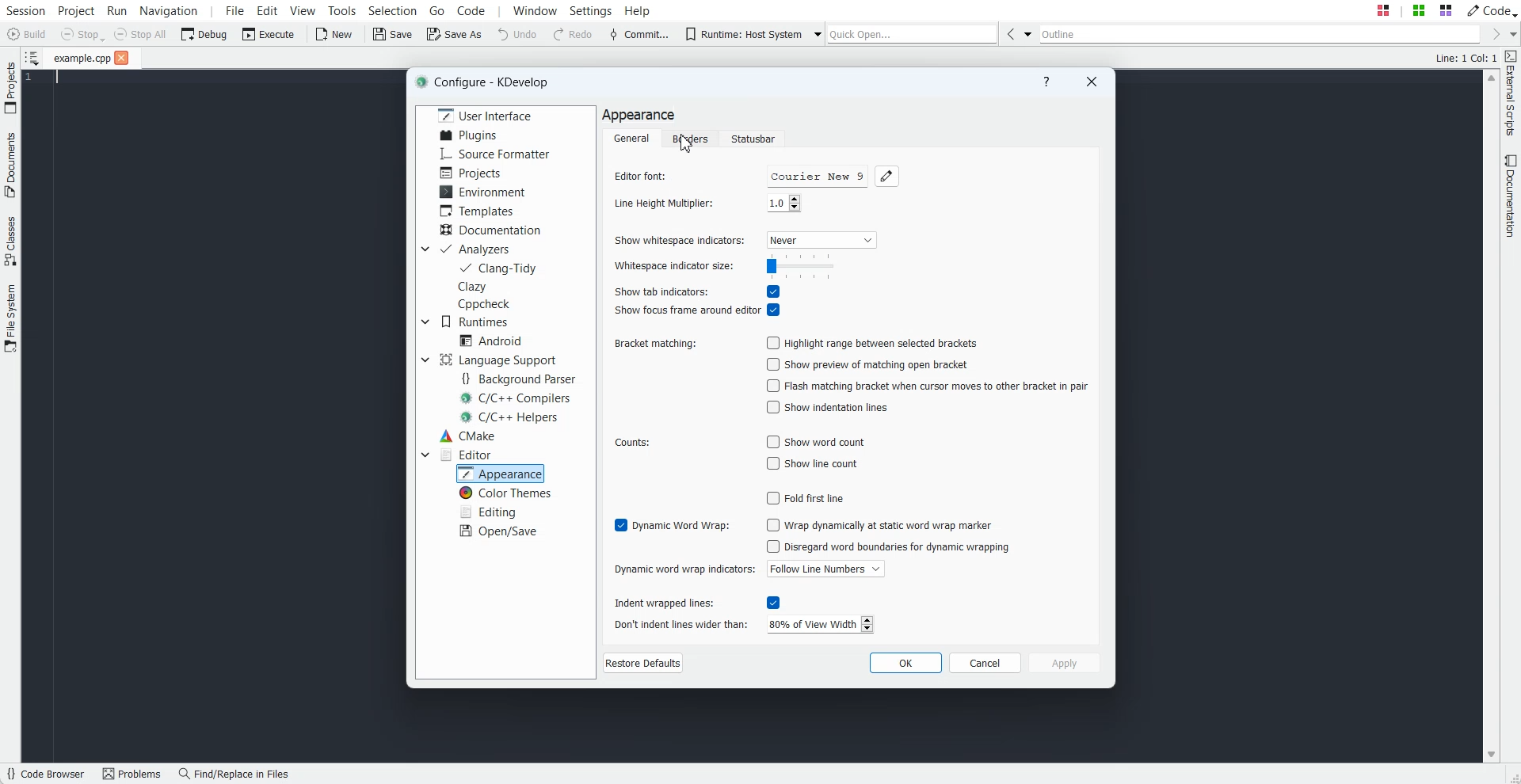 This screenshot has height=784, width=1521. What do you see at coordinates (500, 268) in the screenshot?
I see `Clang-Tidy` at bounding box center [500, 268].